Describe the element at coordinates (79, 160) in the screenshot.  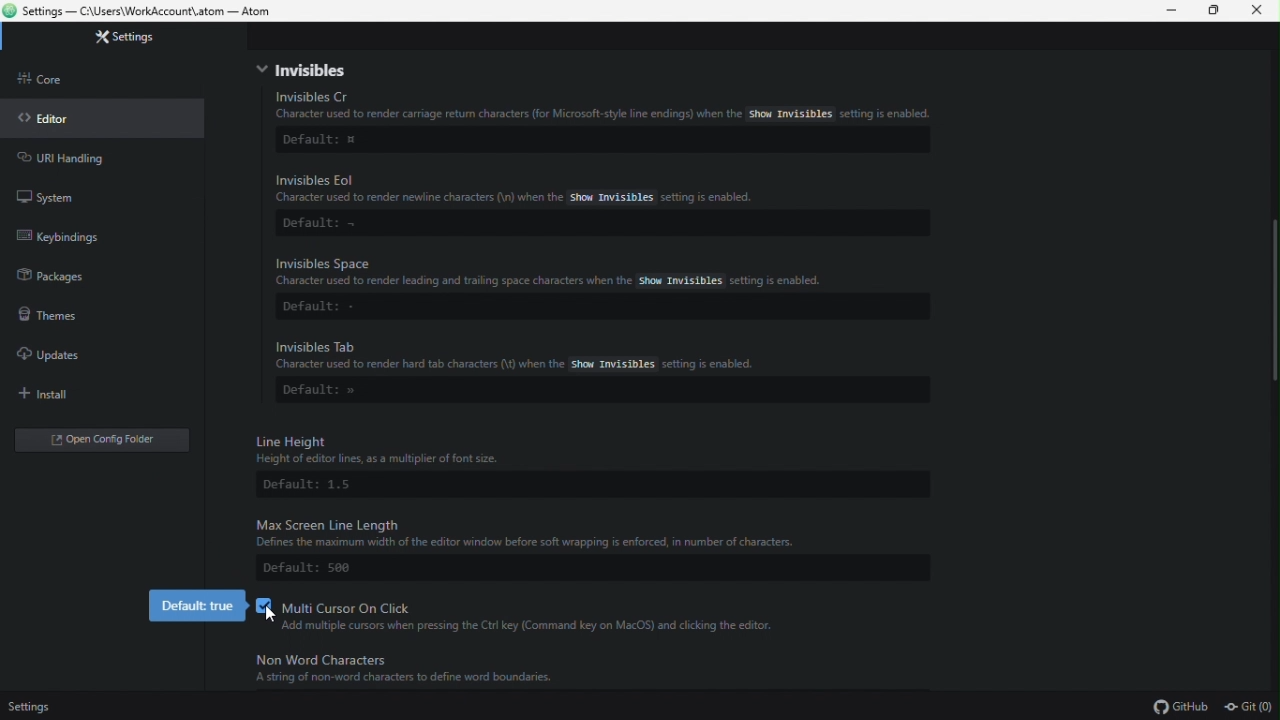
I see `URL handling` at that location.